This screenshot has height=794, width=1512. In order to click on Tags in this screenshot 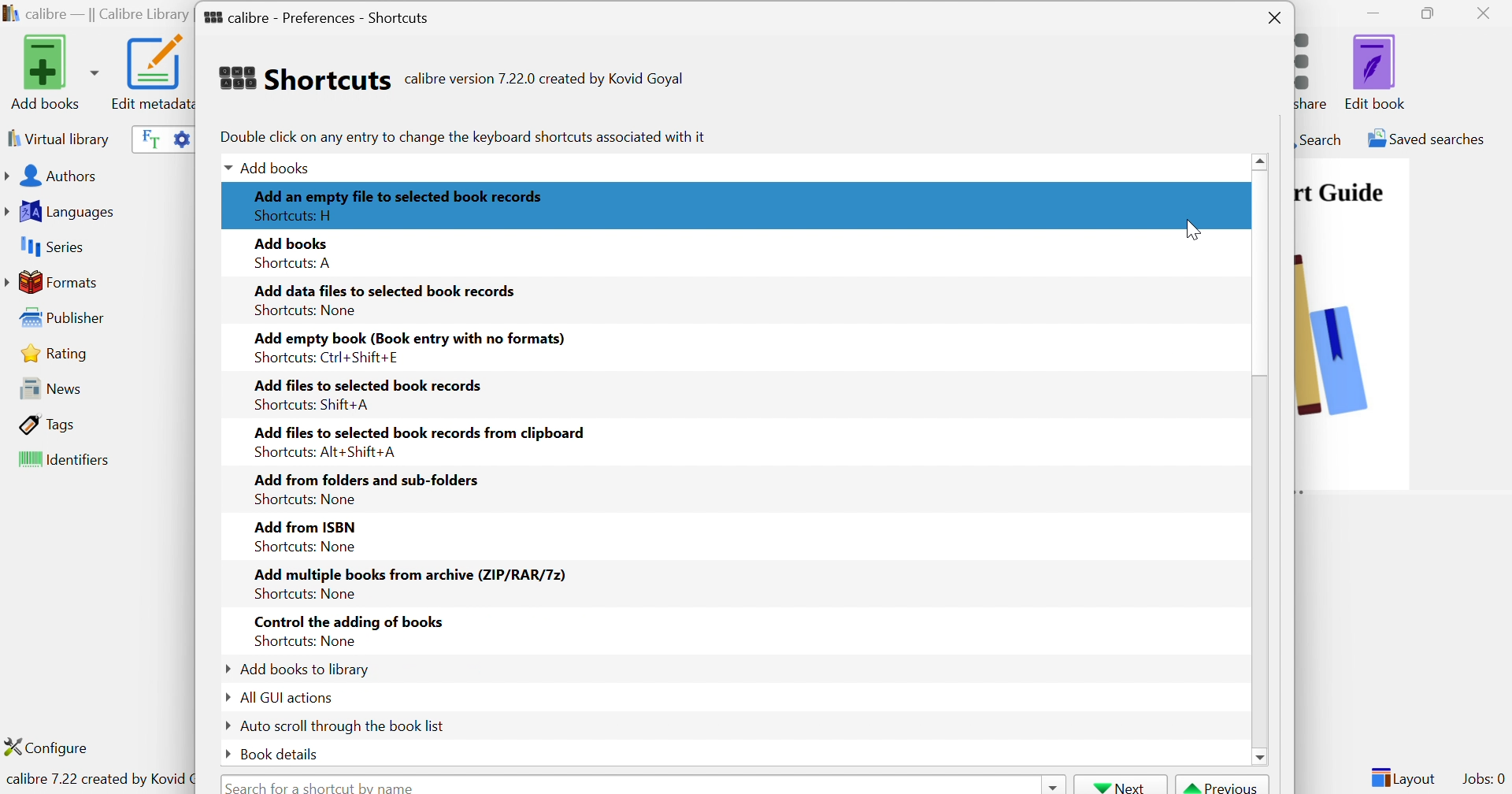, I will do `click(48, 424)`.